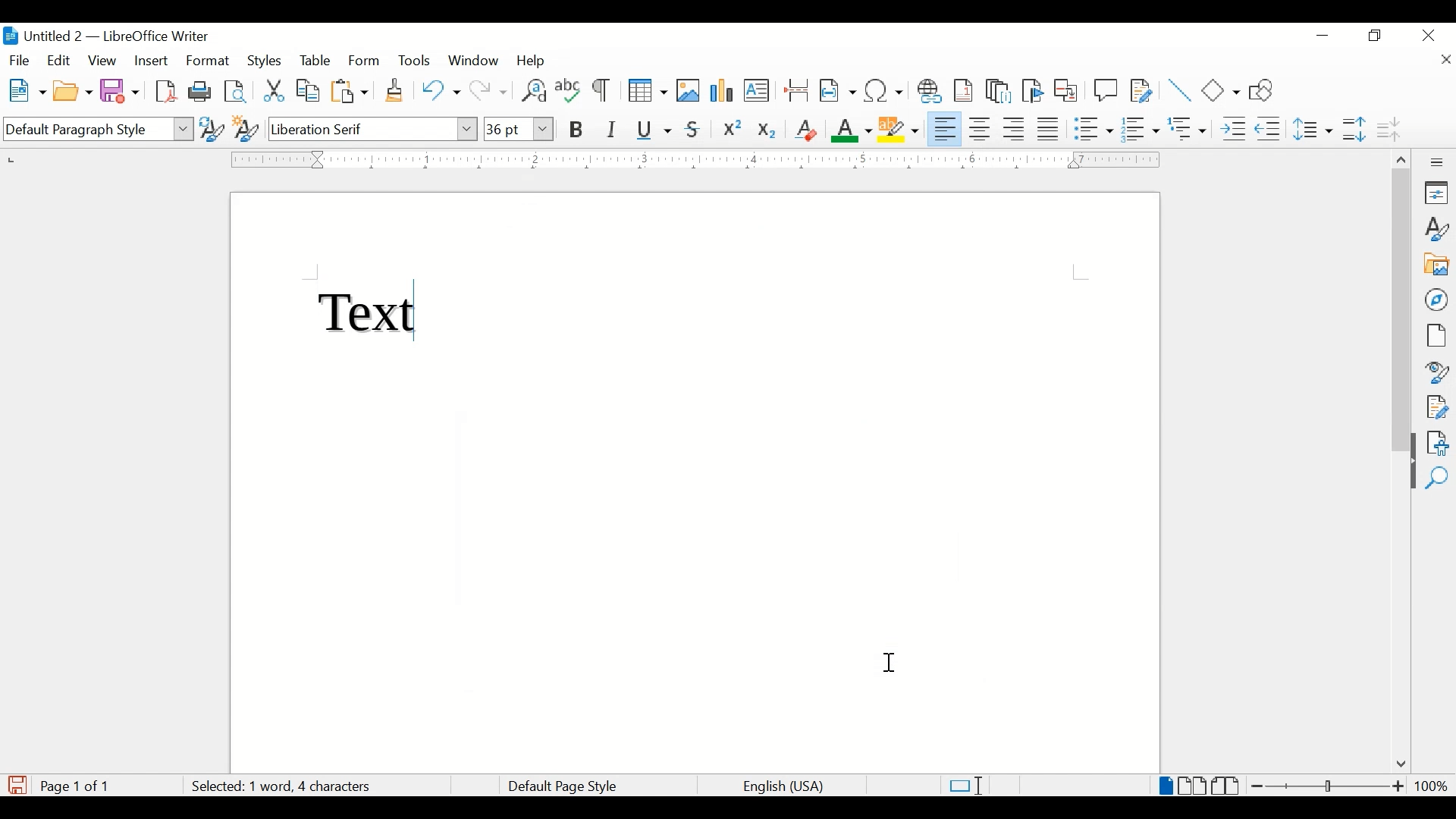 The width and height of the screenshot is (1456, 819). Describe the element at coordinates (237, 91) in the screenshot. I see `toggle print preview` at that location.